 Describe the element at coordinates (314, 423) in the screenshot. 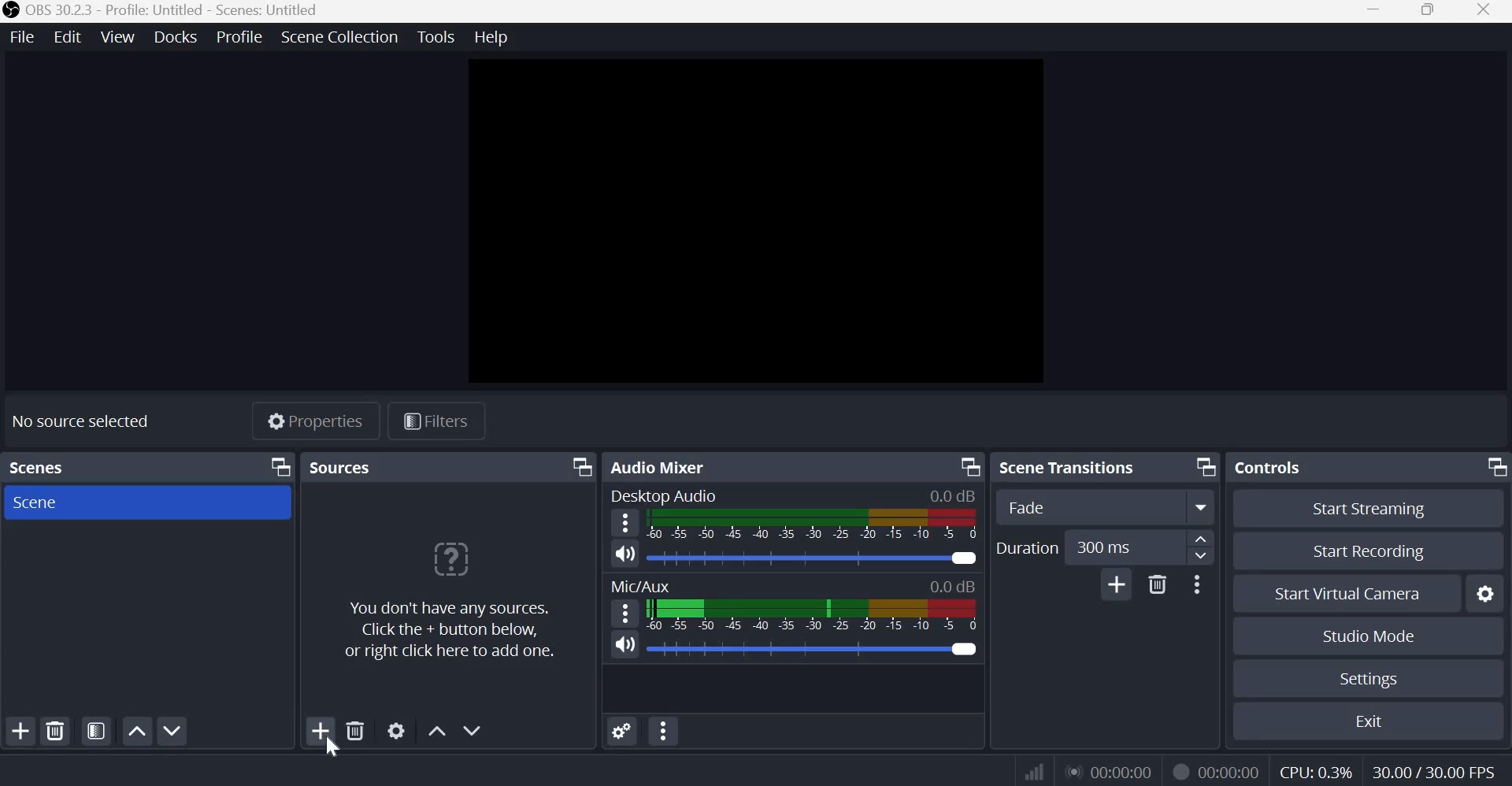

I see `Properties` at that location.